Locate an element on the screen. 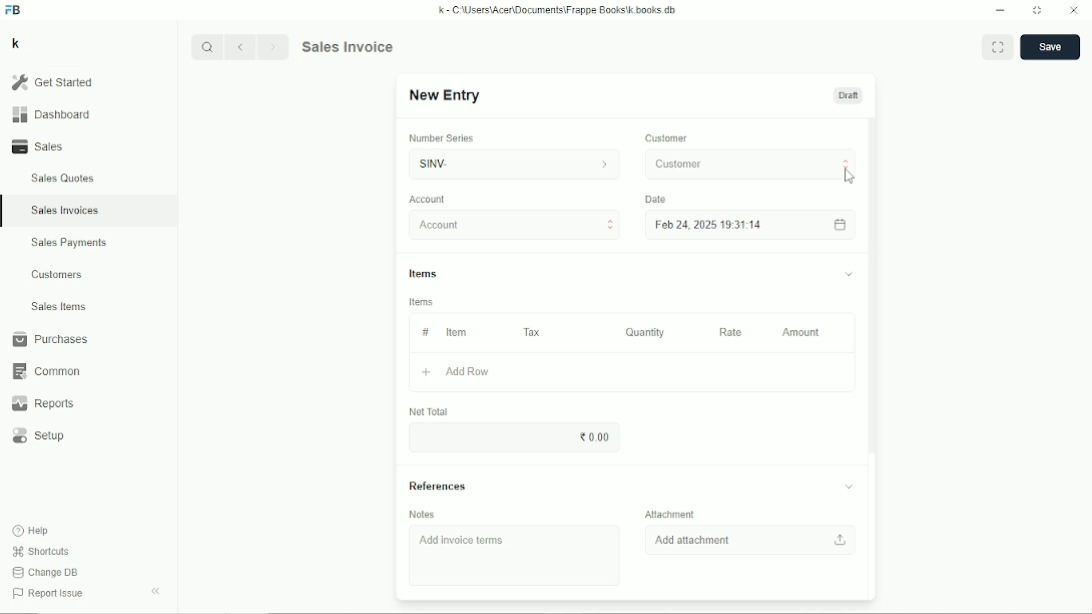  Close is located at coordinates (1074, 11).